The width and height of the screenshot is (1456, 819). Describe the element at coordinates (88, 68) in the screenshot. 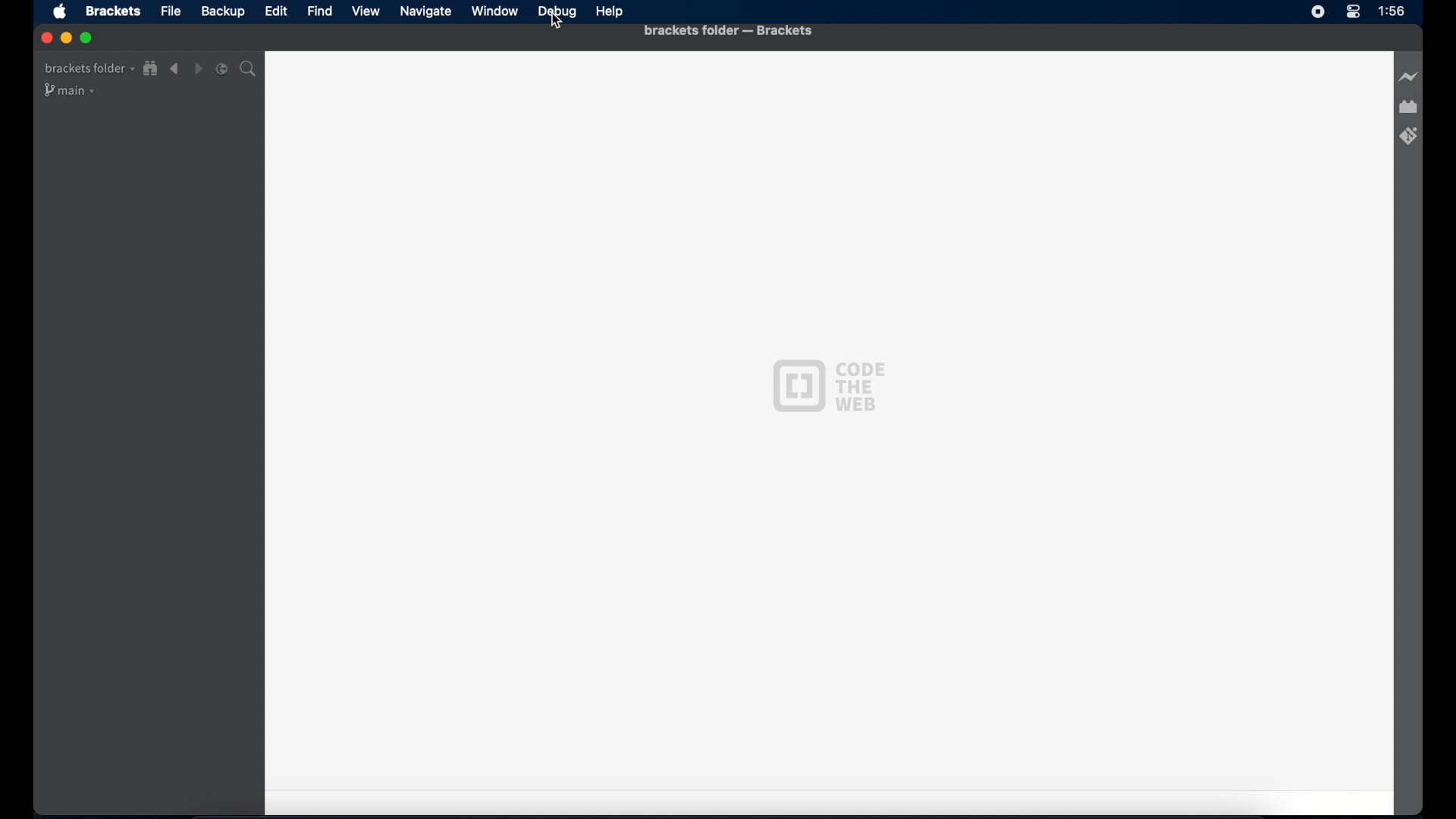

I see `brackets folder` at that location.